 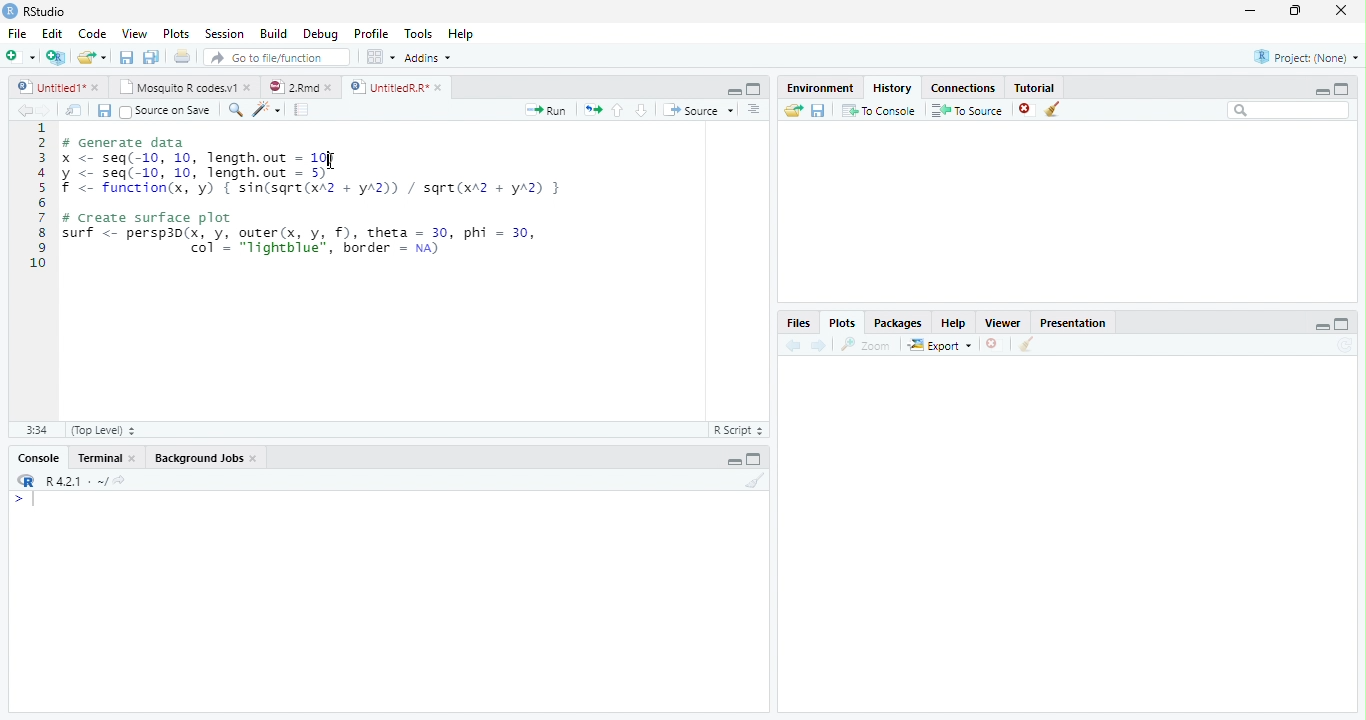 What do you see at coordinates (248, 87) in the screenshot?
I see `close` at bounding box center [248, 87].